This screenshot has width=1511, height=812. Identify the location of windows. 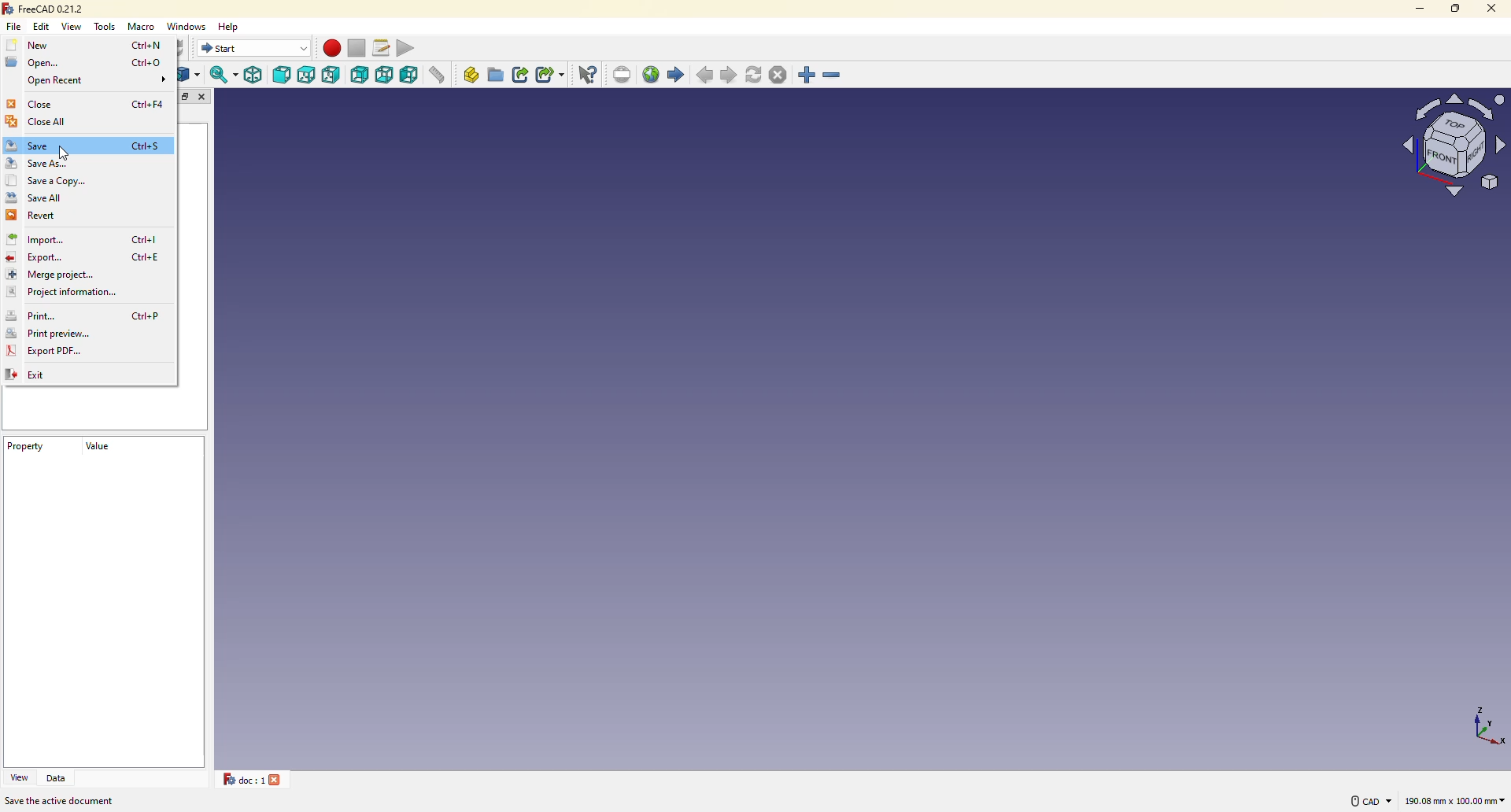
(190, 26).